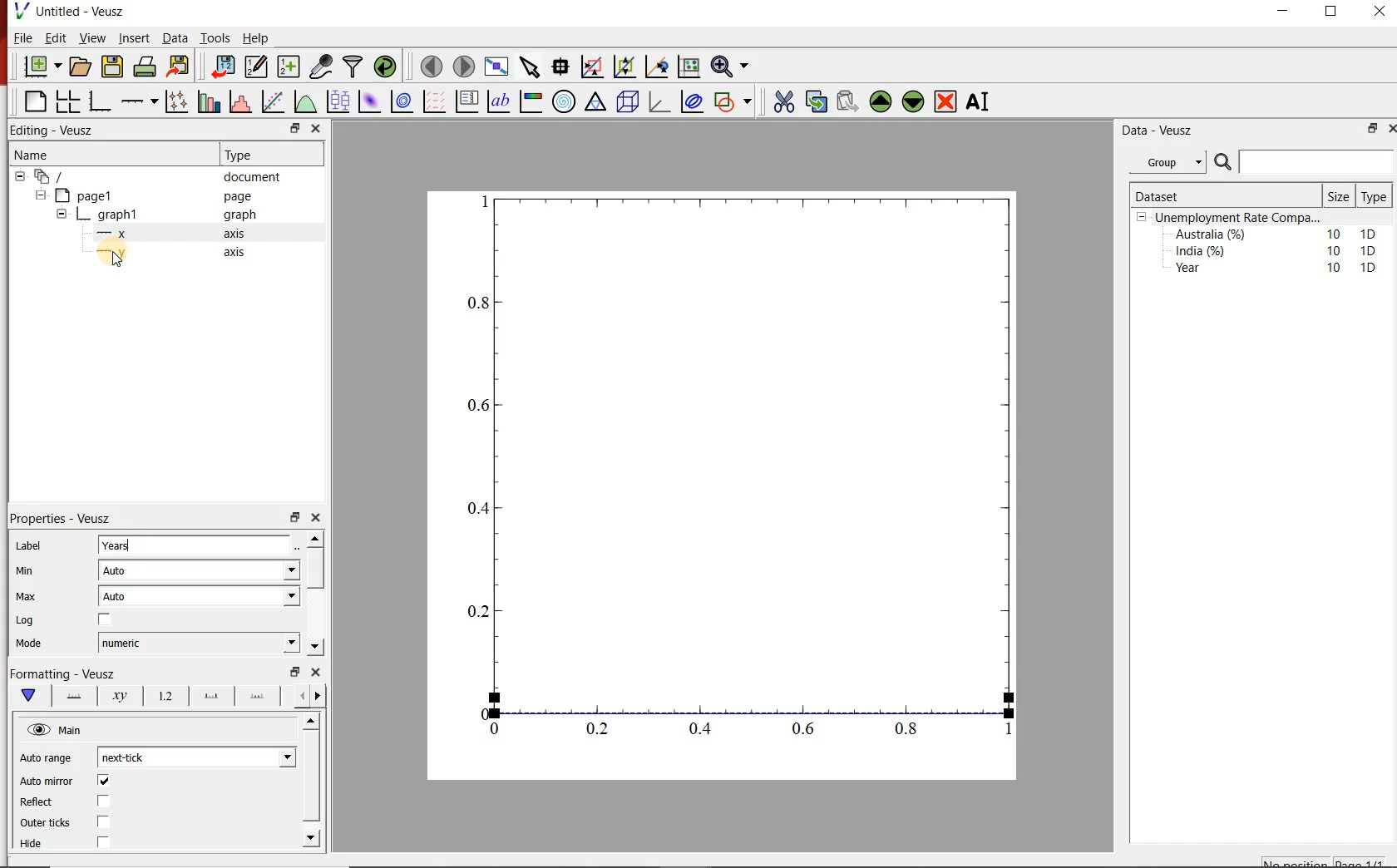 The image size is (1397, 868). What do you see at coordinates (155, 175) in the screenshot?
I see `‘document` at bounding box center [155, 175].